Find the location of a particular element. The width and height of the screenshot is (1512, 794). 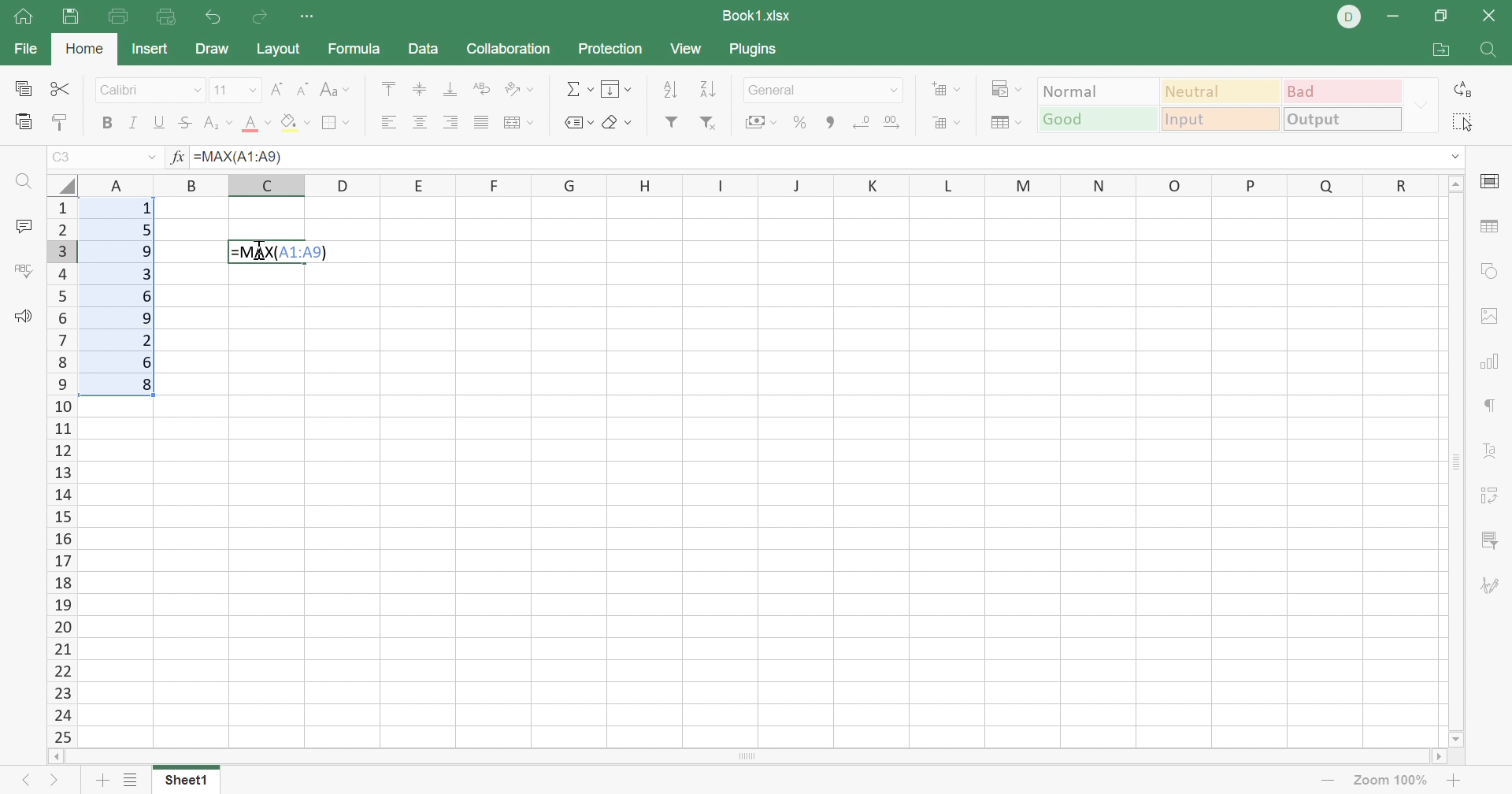

number format is located at coordinates (776, 91).